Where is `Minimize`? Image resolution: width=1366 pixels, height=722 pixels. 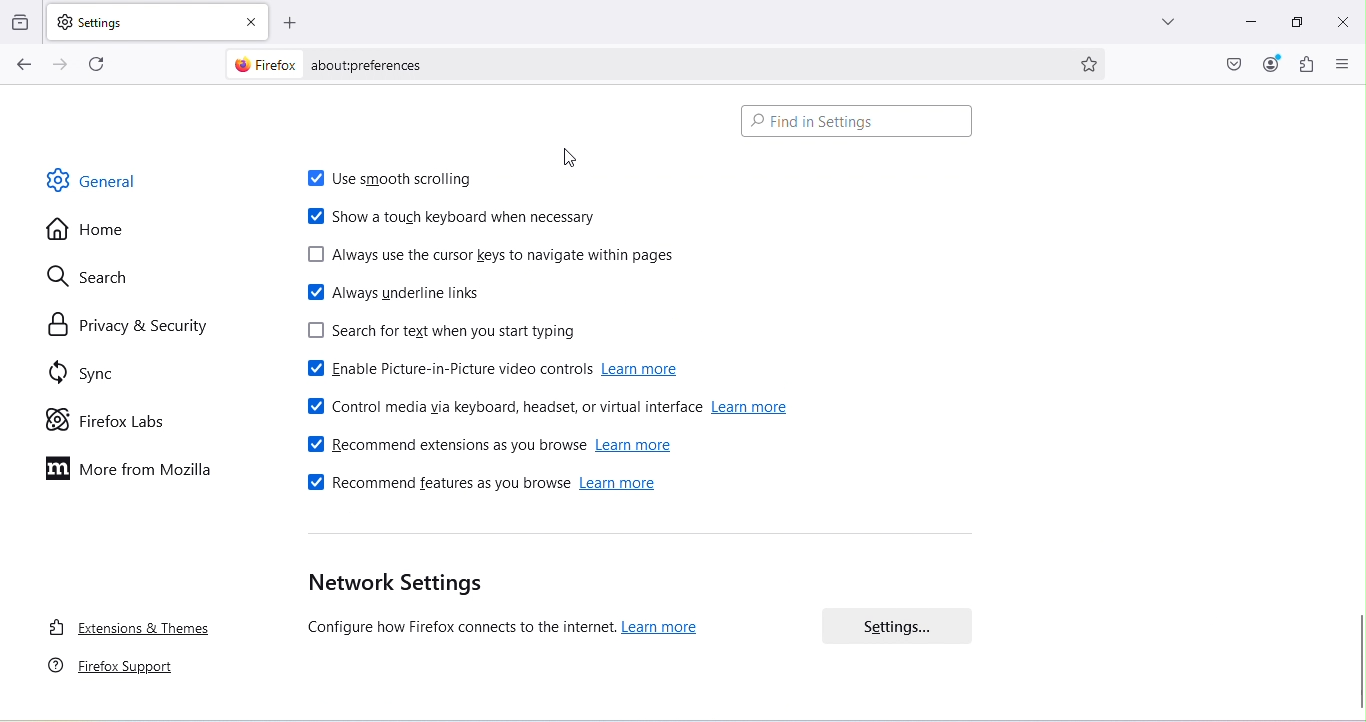
Minimize is located at coordinates (1250, 24).